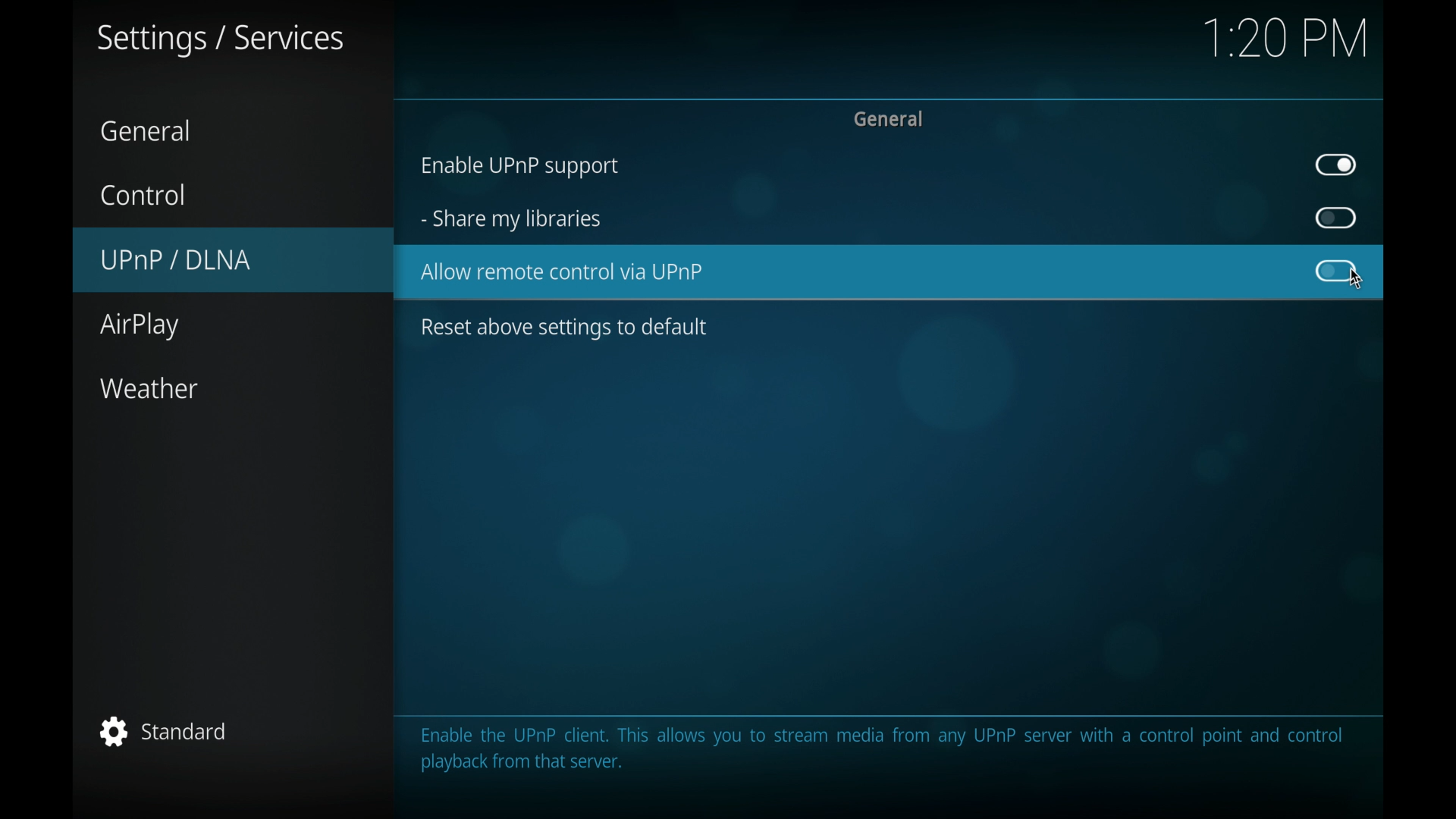 This screenshot has width=1456, height=819. Describe the element at coordinates (511, 221) in the screenshot. I see `share my libraries` at that location.